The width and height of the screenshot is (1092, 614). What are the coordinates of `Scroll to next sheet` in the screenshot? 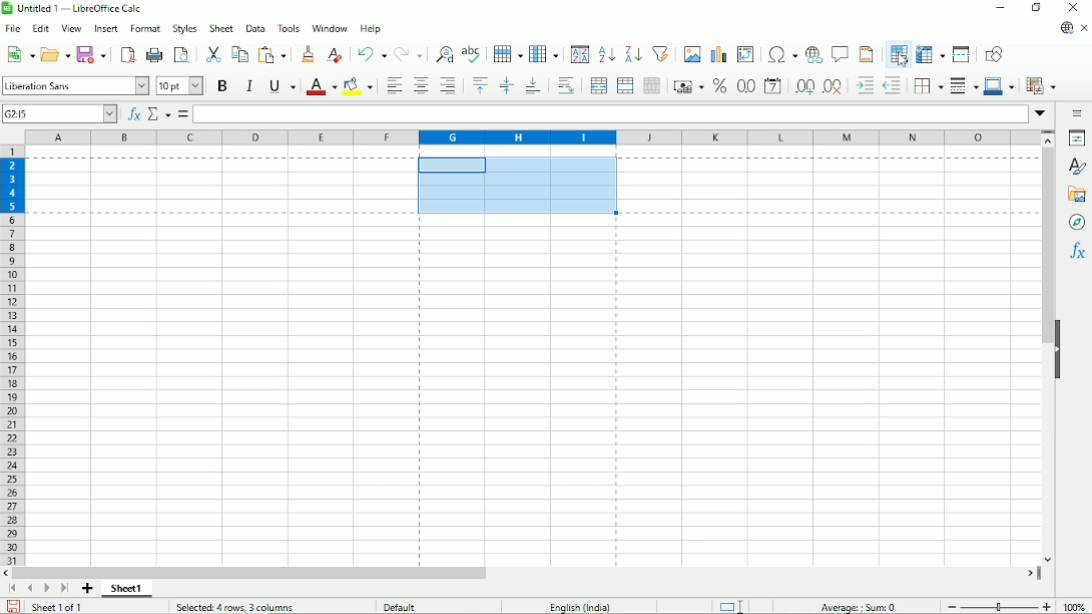 It's located at (44, 588).